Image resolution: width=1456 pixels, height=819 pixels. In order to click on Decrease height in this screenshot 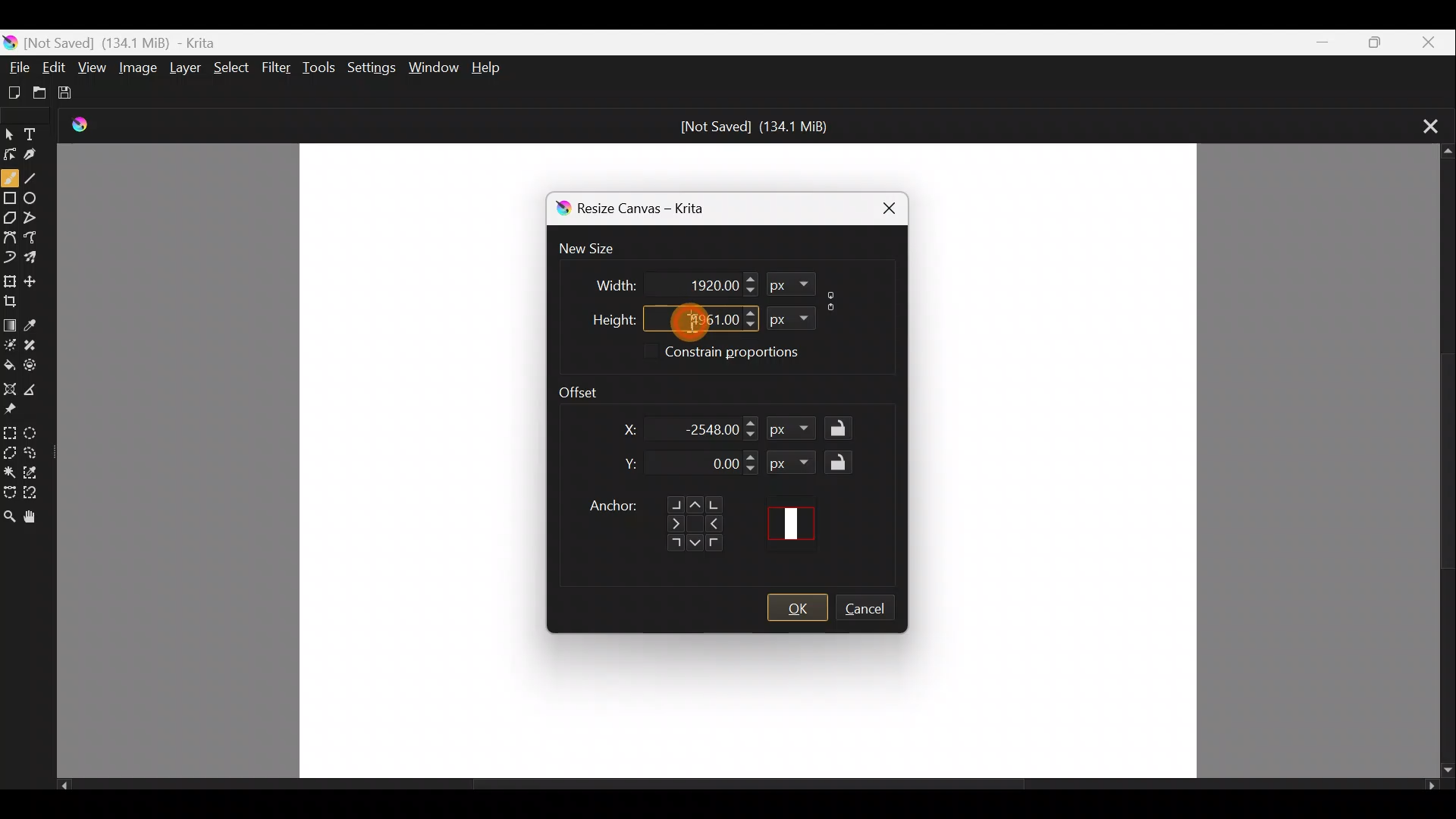, I will do `click(750, 325)`.